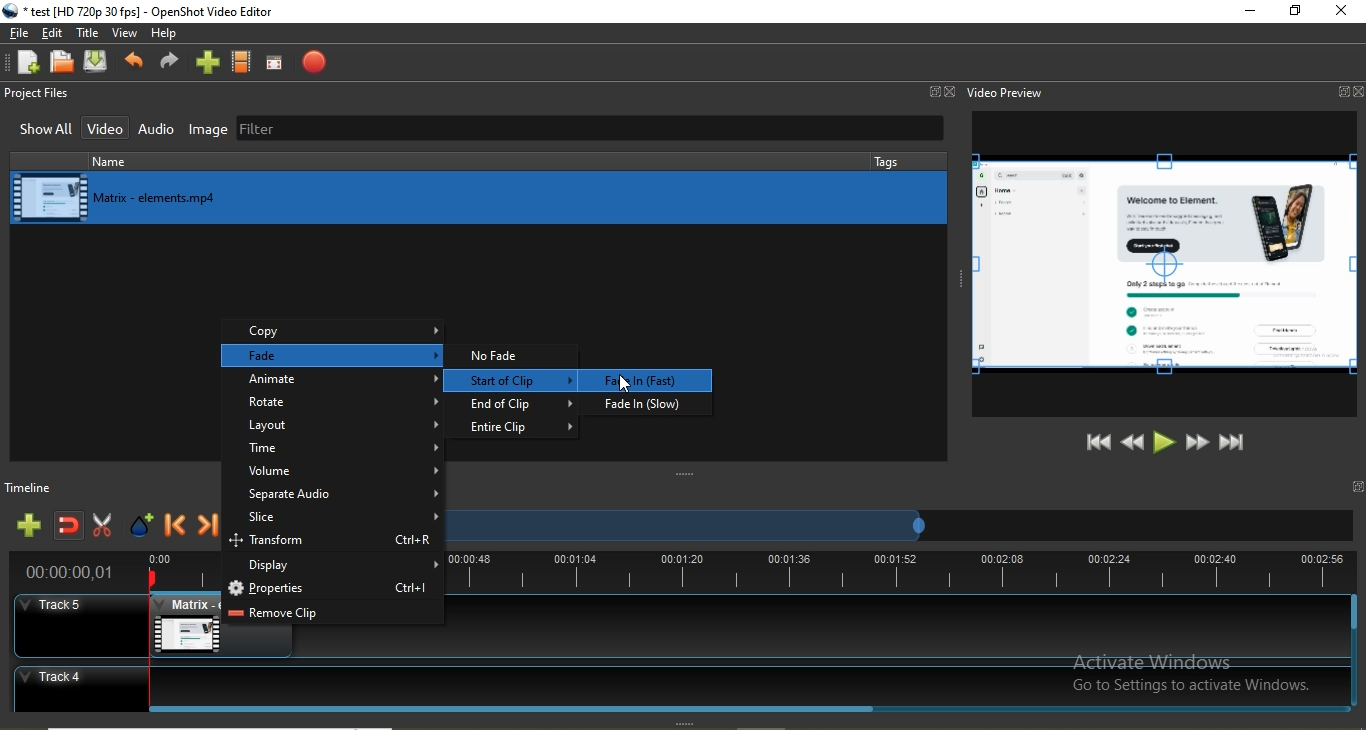  Describe the element at coordinates (333, 497) in the screenshot. I see `separate audio` at that location.